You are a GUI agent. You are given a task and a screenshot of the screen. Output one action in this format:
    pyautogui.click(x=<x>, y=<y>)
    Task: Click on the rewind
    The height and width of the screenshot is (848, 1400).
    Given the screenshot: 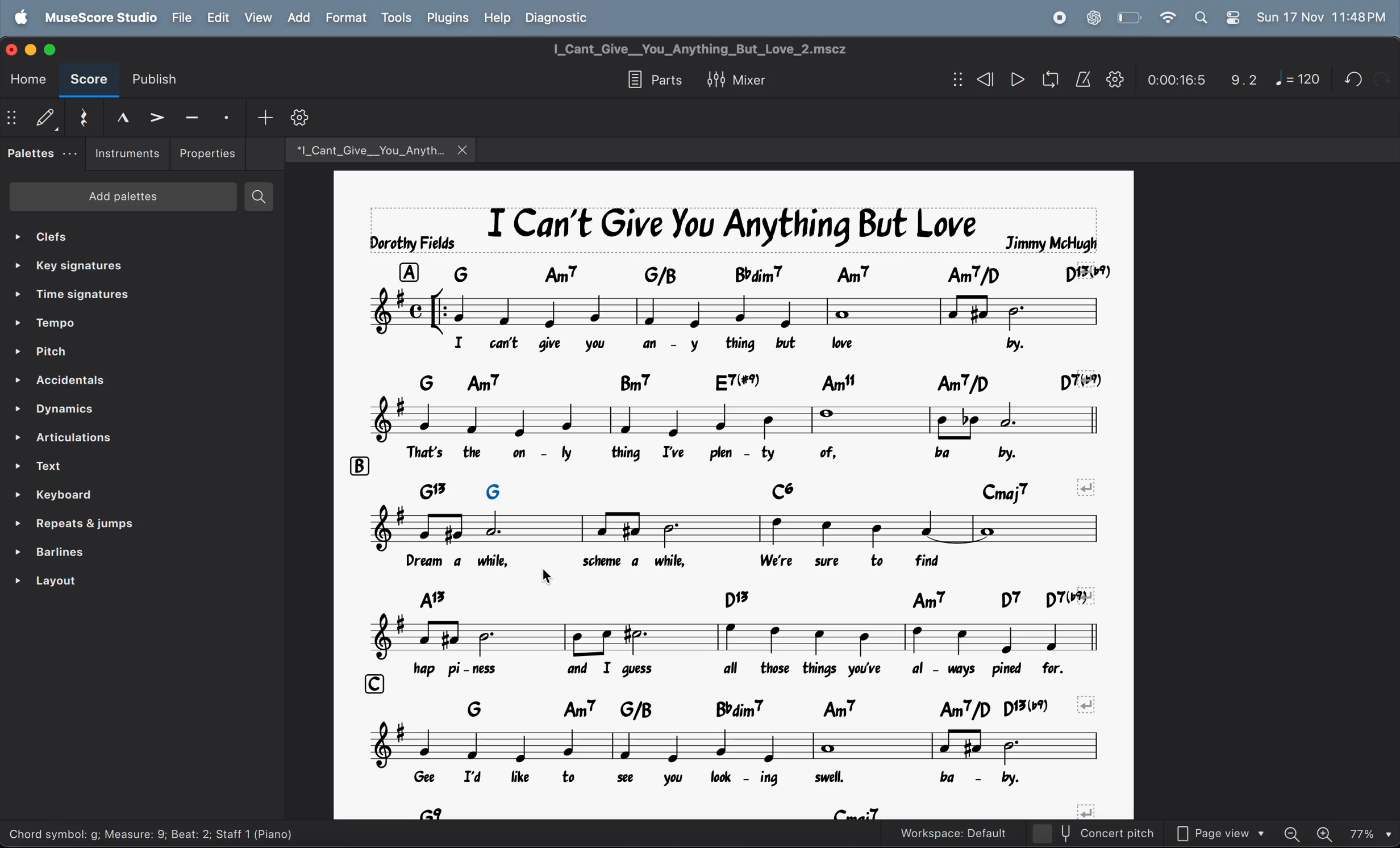 What is the action you would take?
    pyautogui.click(x=973, y=79)
    